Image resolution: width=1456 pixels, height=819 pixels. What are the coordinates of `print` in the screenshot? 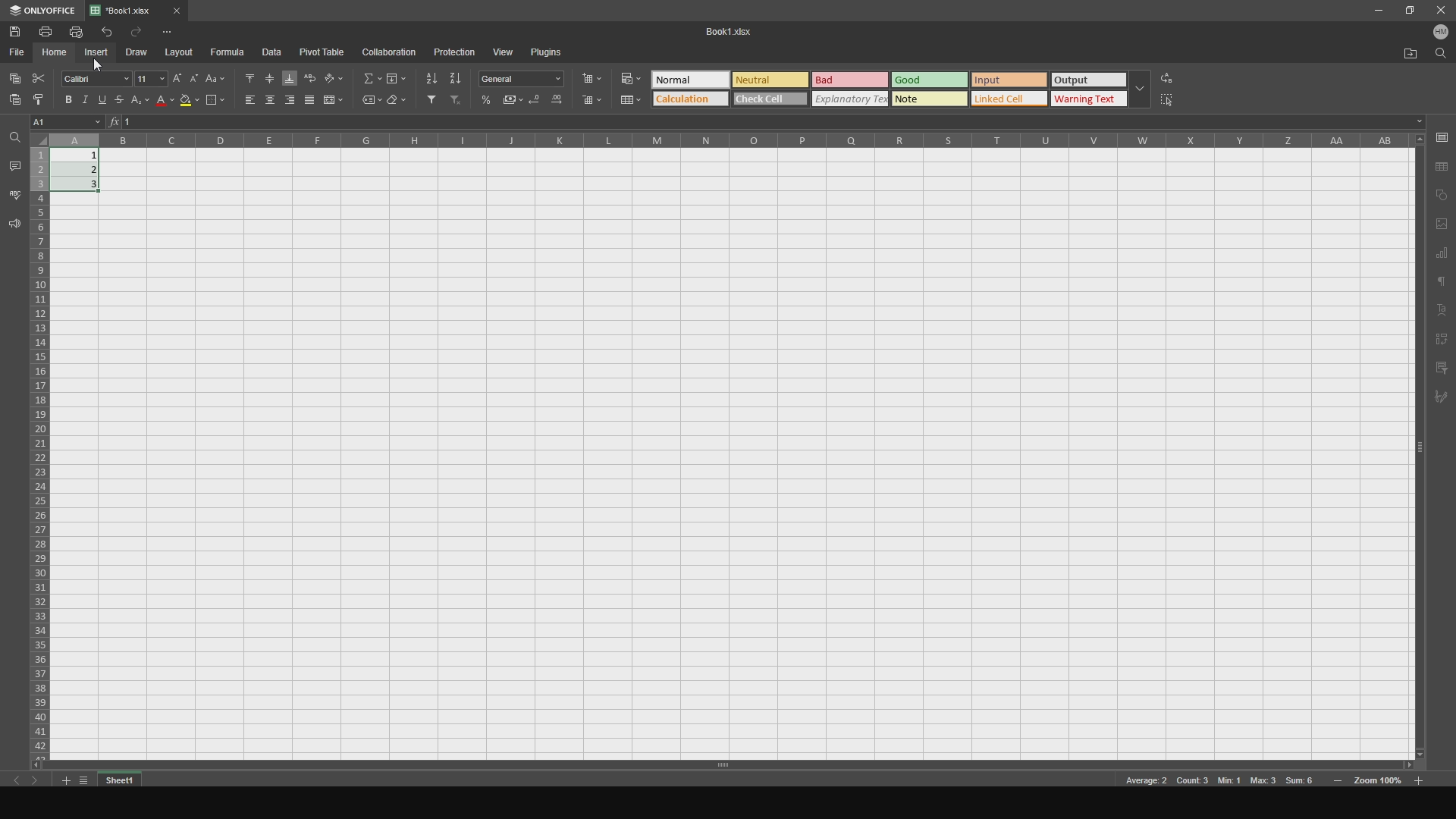 It's located at (49, 32).